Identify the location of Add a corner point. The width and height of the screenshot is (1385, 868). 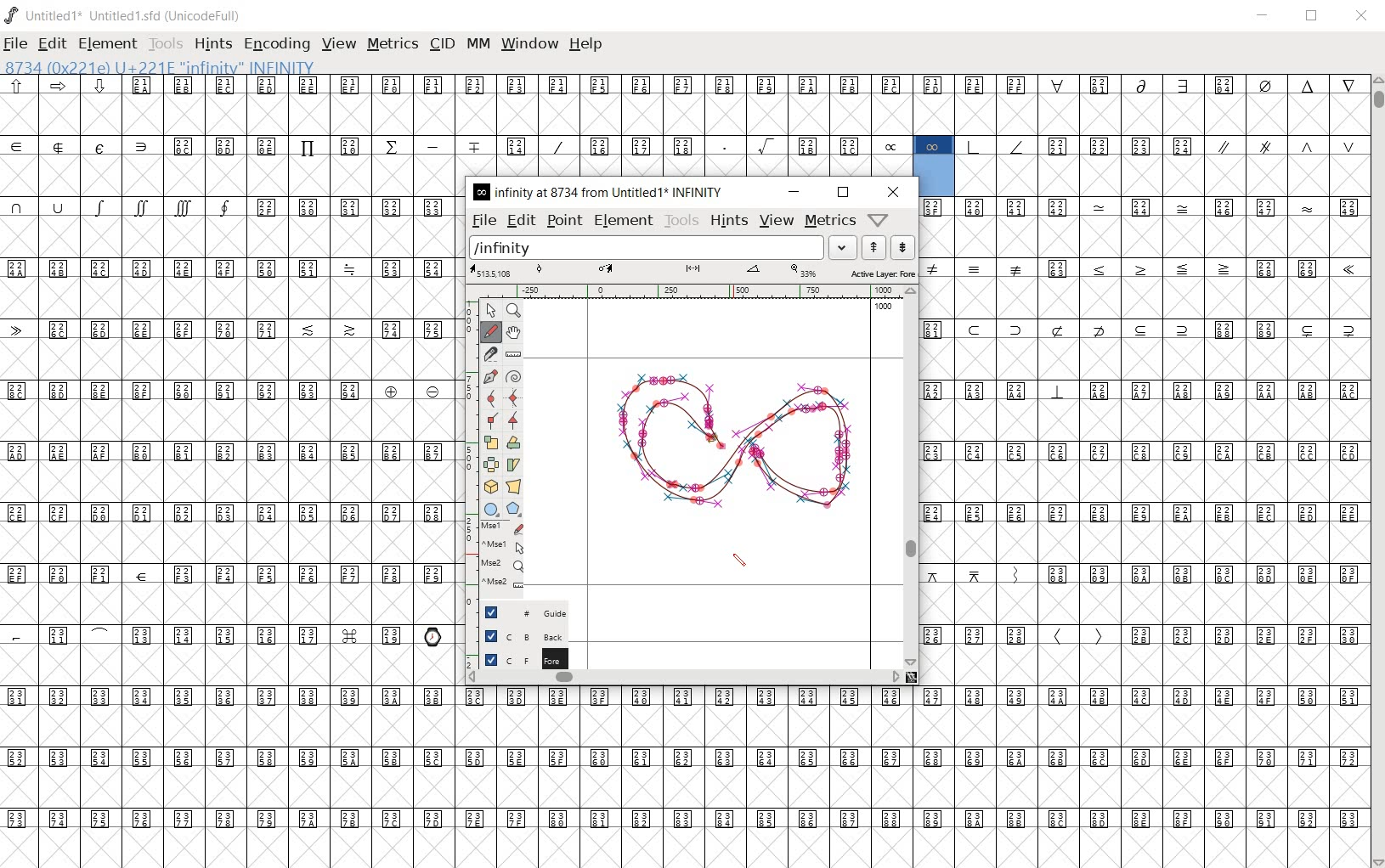
(513, 420).